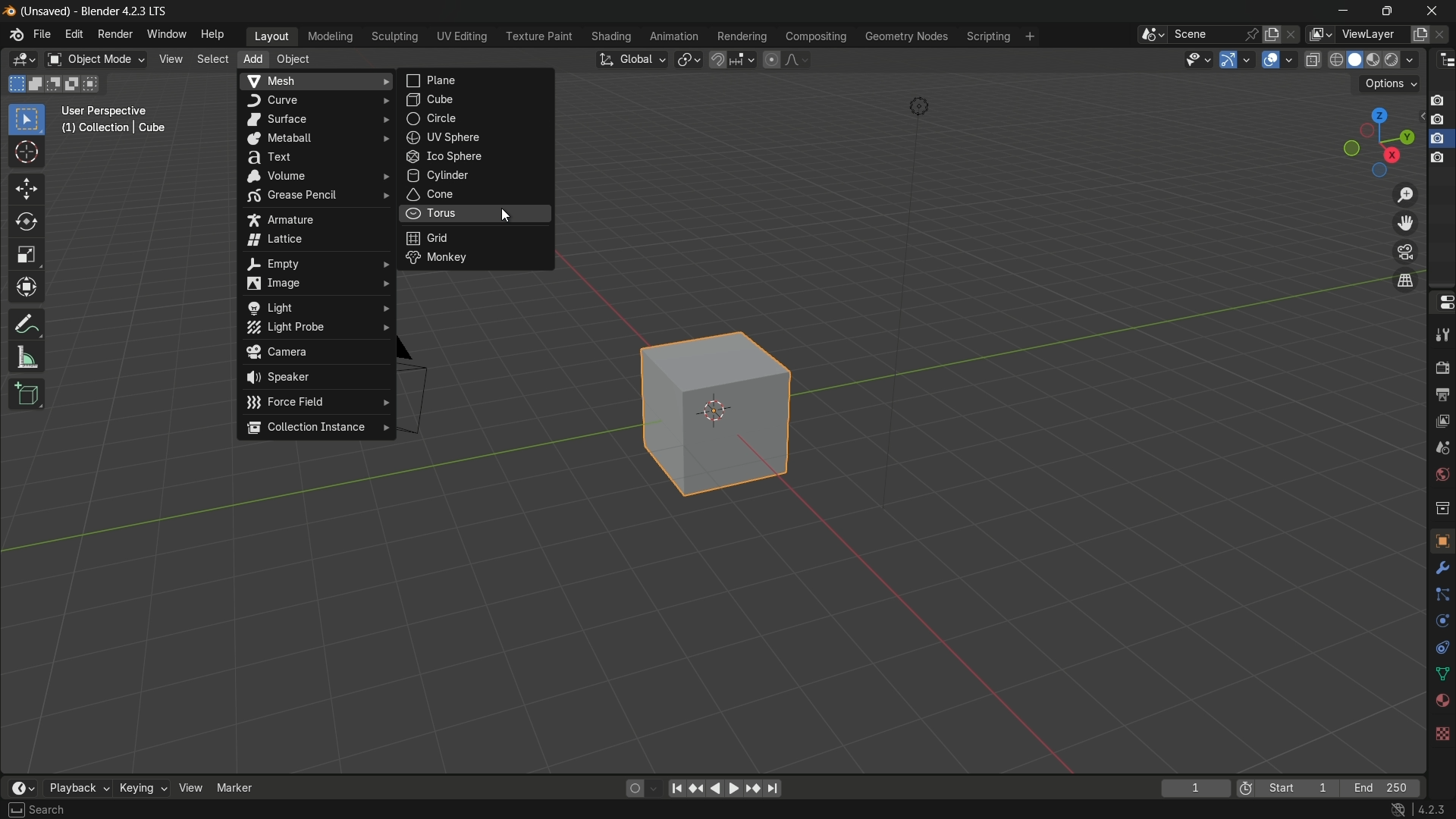  Describe the element at coordinates (27, 358) in the screenshot. I see `measure` at that location.